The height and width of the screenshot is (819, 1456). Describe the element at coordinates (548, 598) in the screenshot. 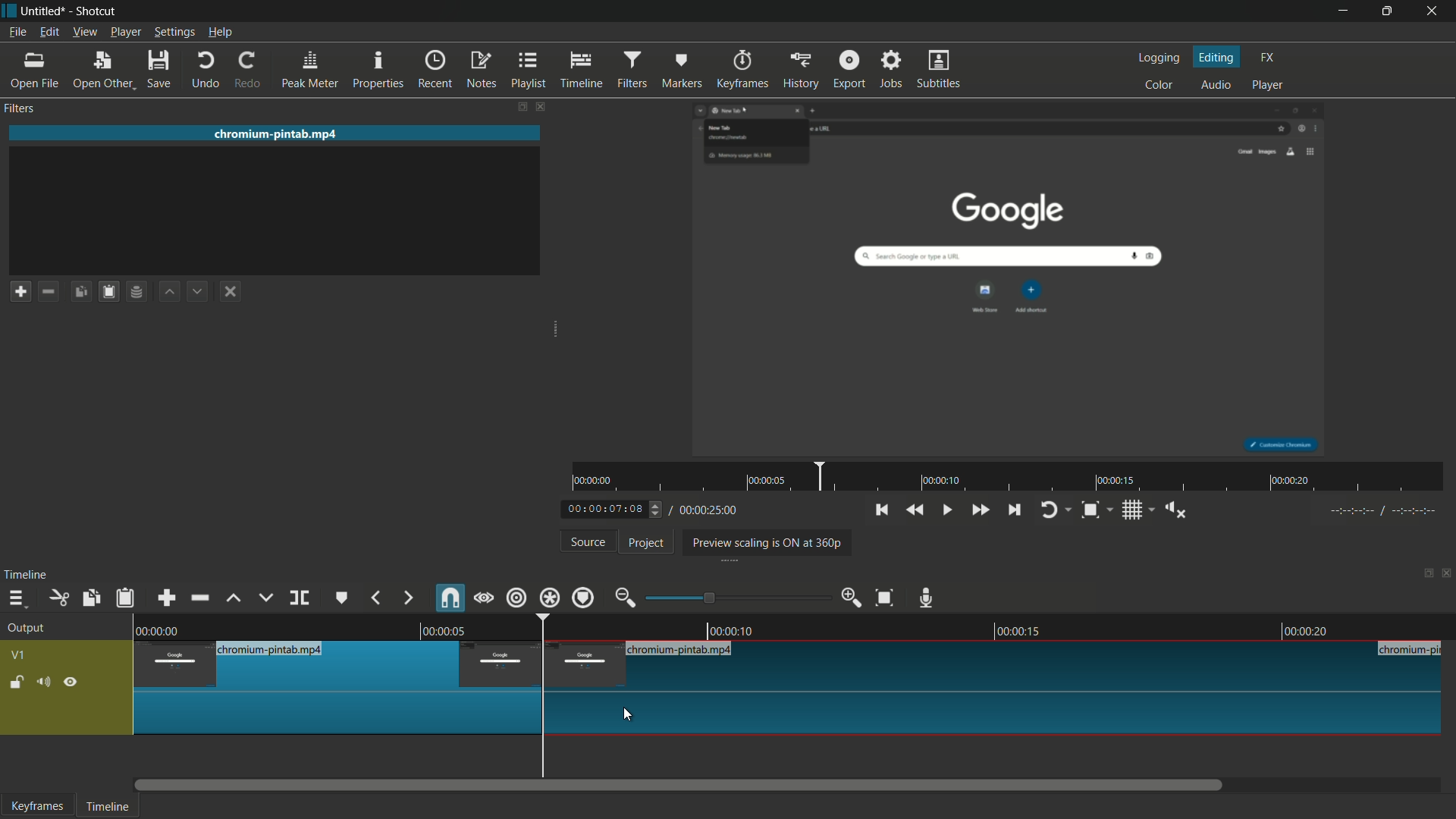

I see `ripple all tracks` at that location.